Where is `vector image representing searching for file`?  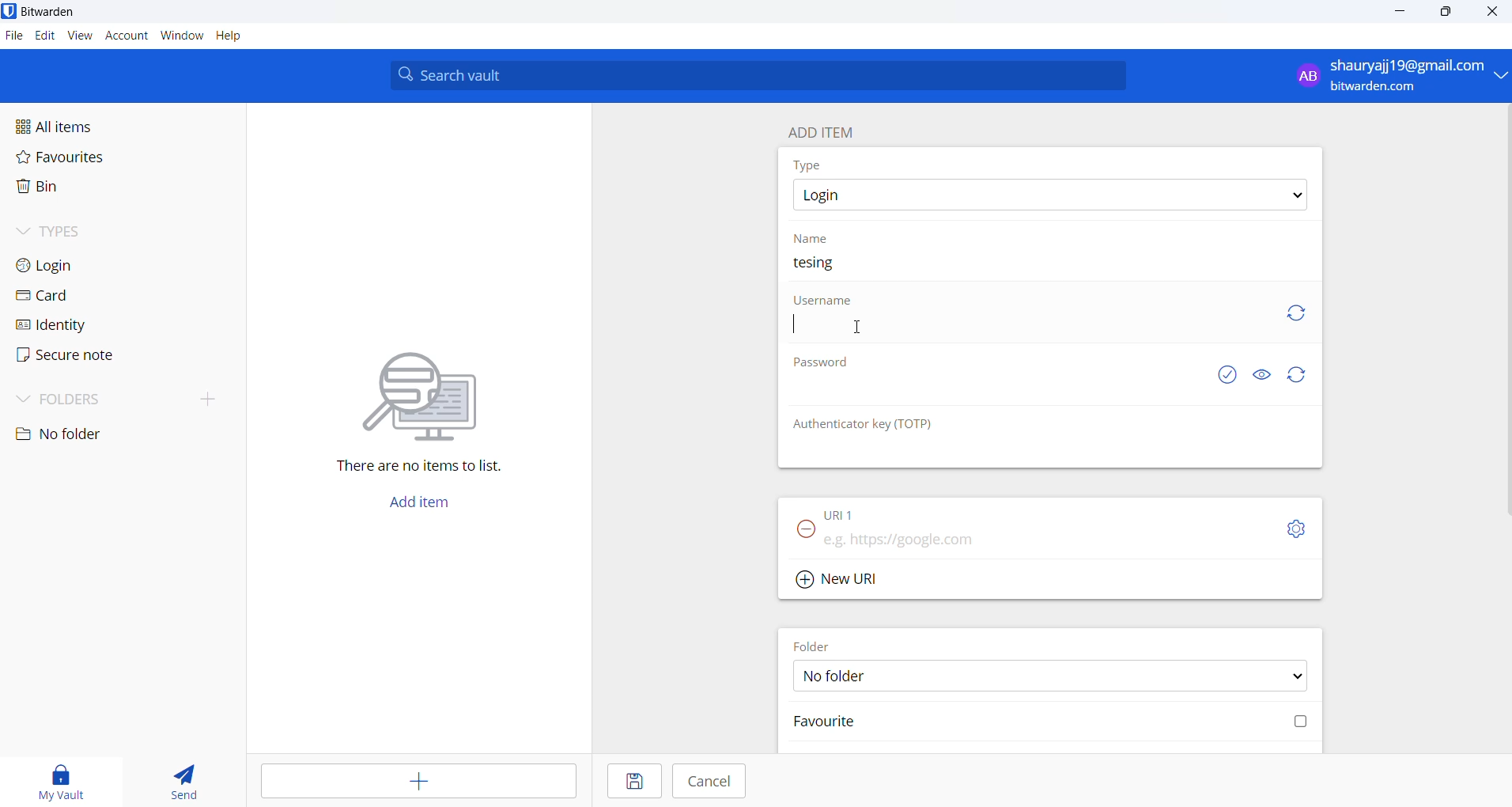
vector image representing searching for file is located at coordinates (430, 385).